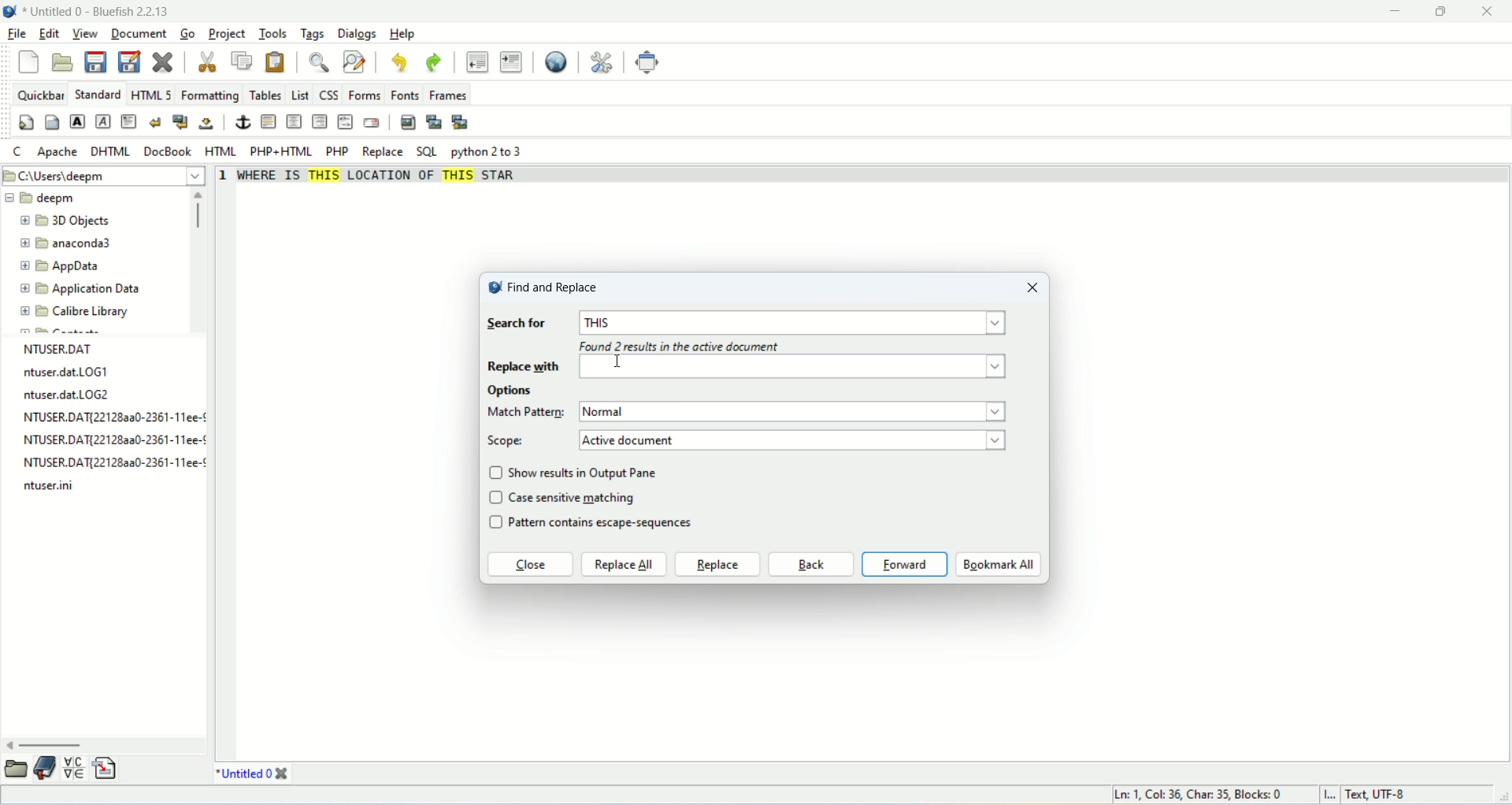 This screenshot has width=1512, height=805. Describe the element at coordinates (83, 33) in the screenshot. I see `view` at that location.